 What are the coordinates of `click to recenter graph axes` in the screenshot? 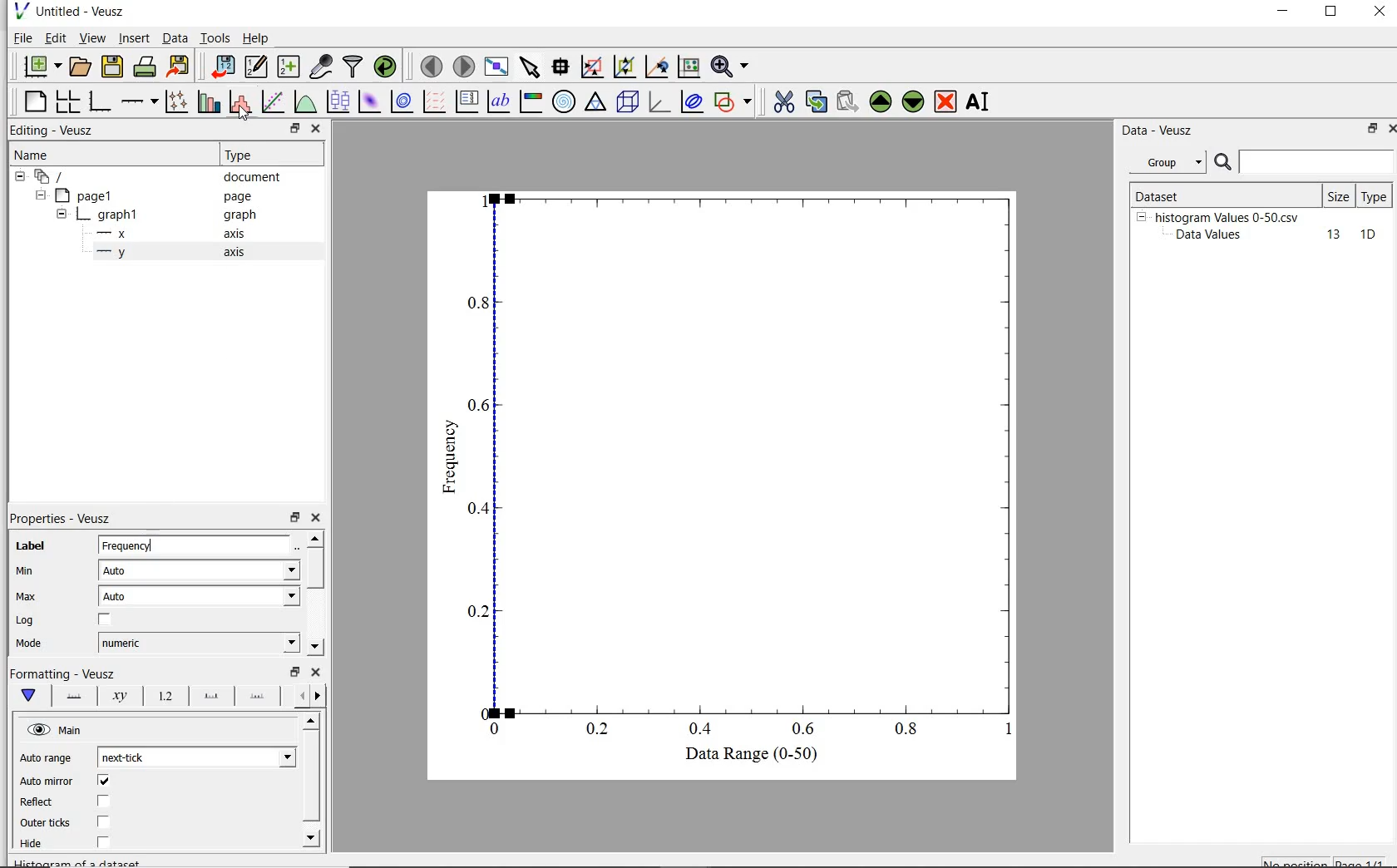 It's located at (688, 67).